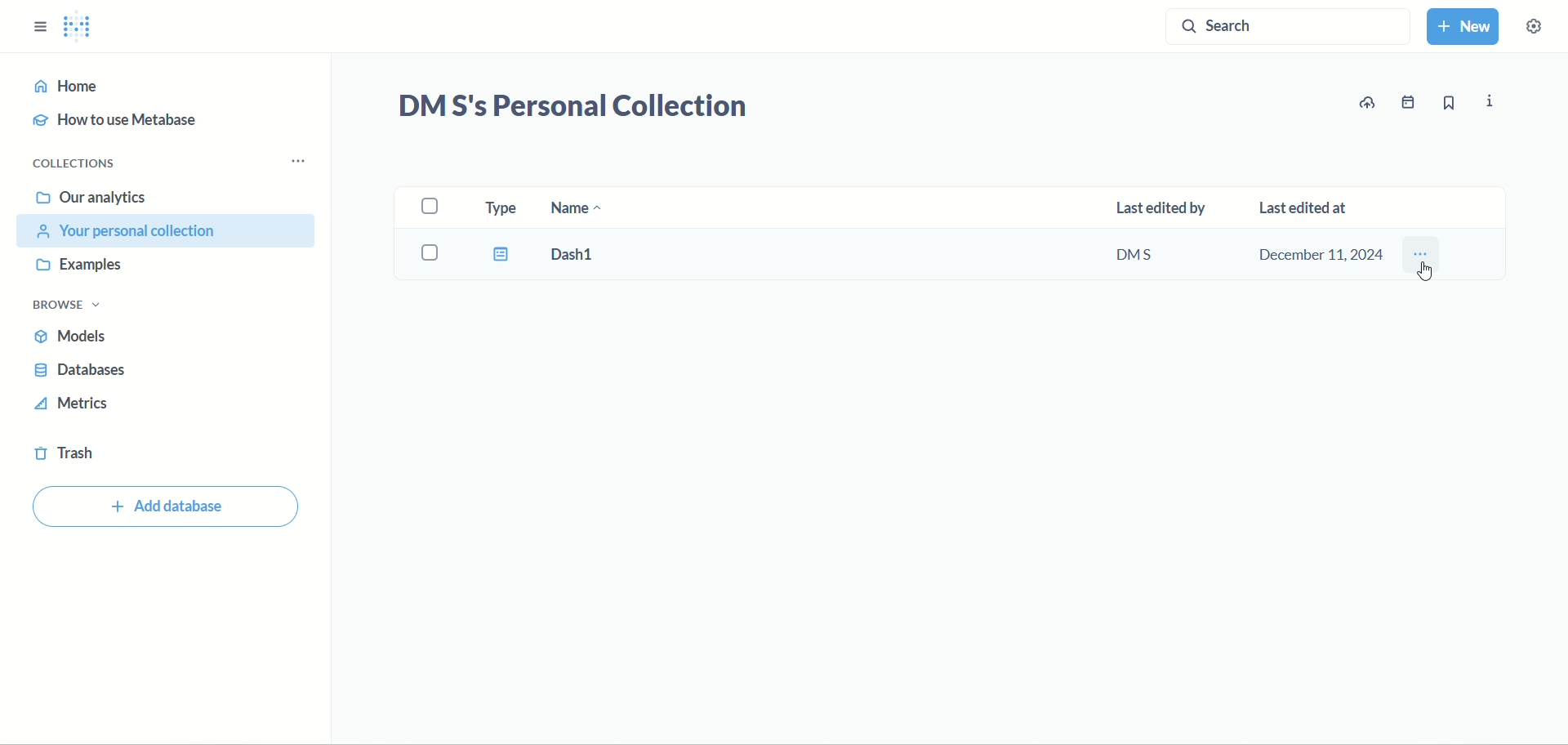 This screenshot has height=745, width=1568. Describe the element at coordinates (580, 211) in the screenshot. I see `name` at that location.